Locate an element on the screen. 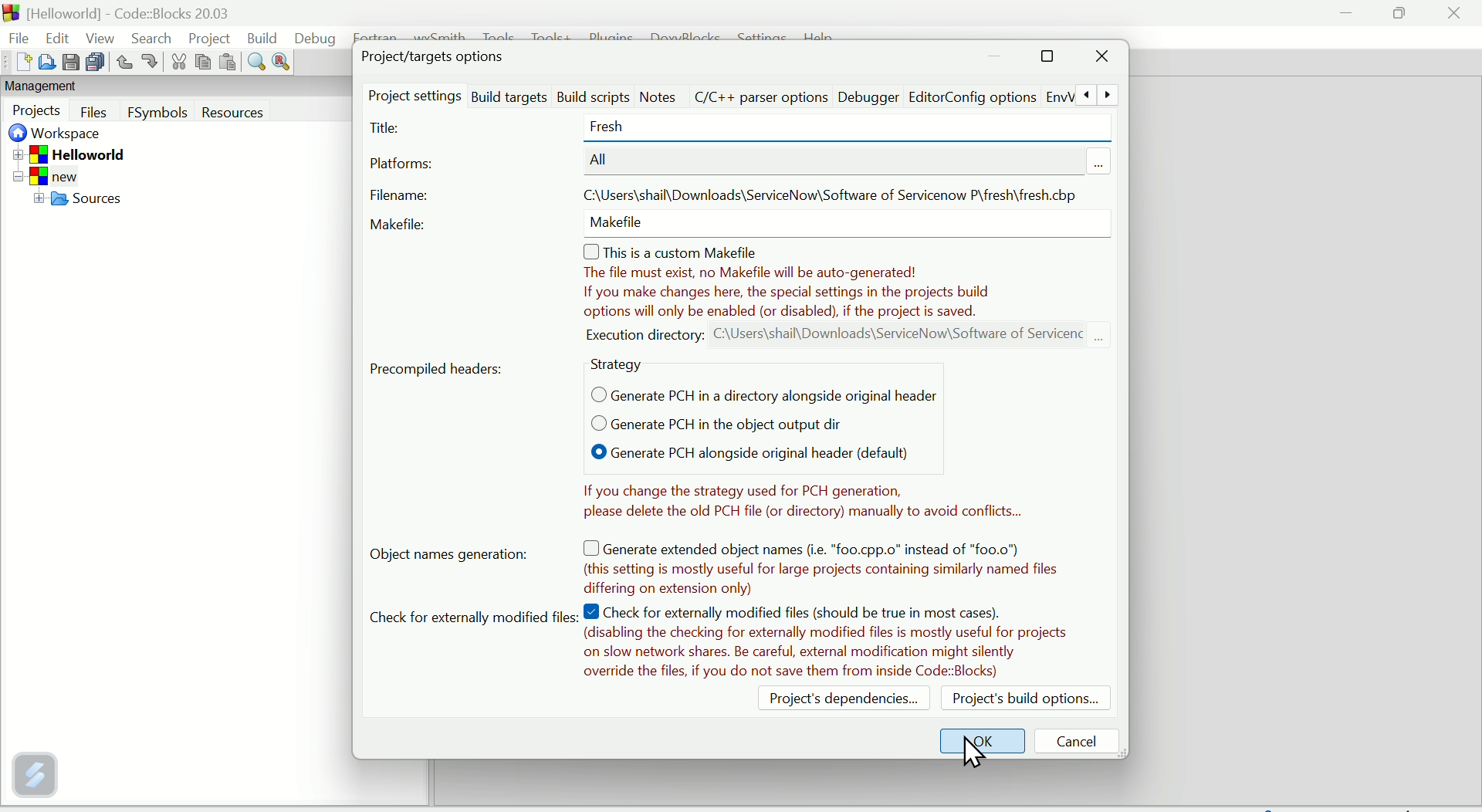  Save all is located at coordinates (98, 63).